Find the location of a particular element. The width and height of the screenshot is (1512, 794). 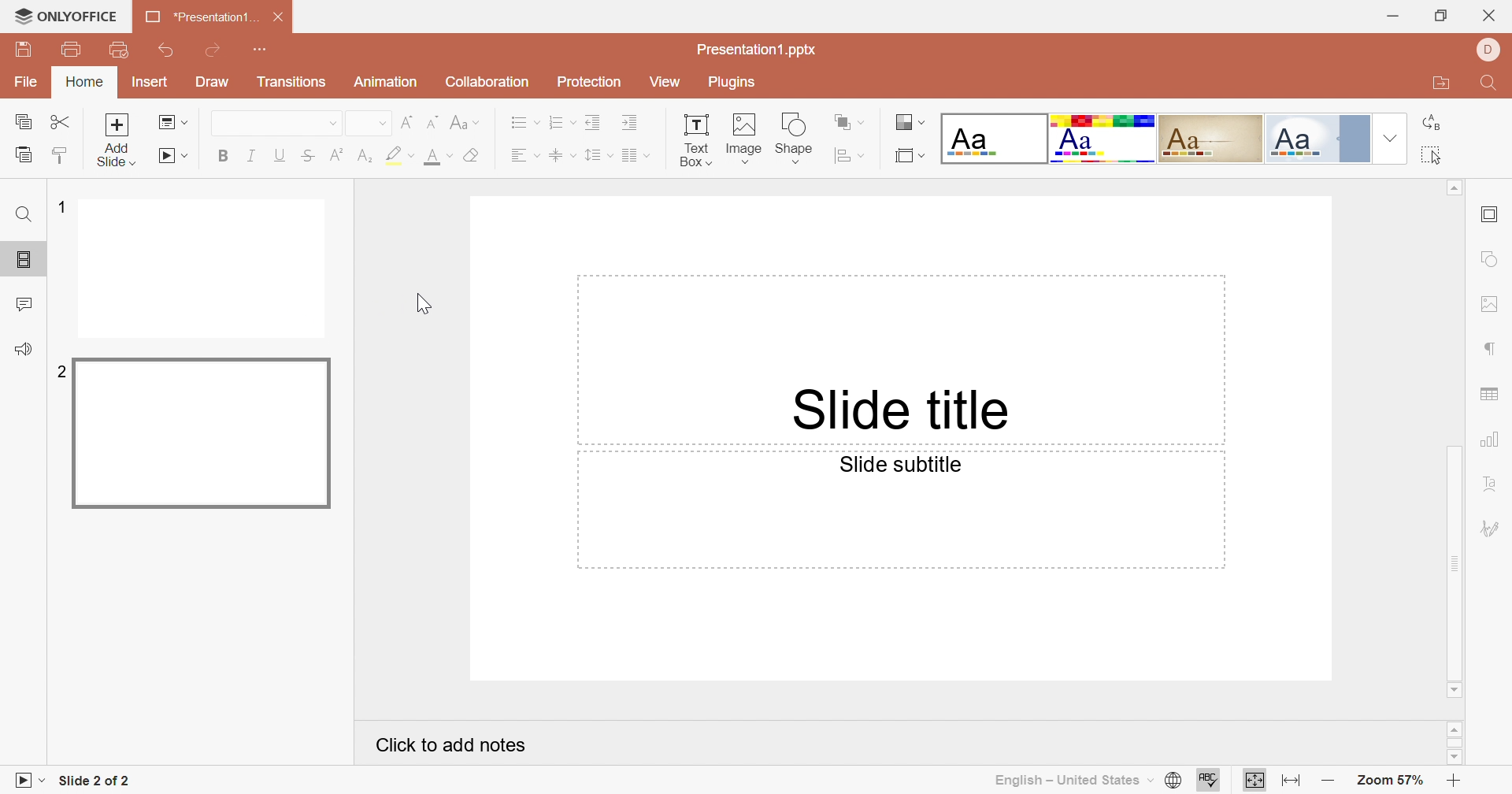

Blank is located at coordinates (993, 137).